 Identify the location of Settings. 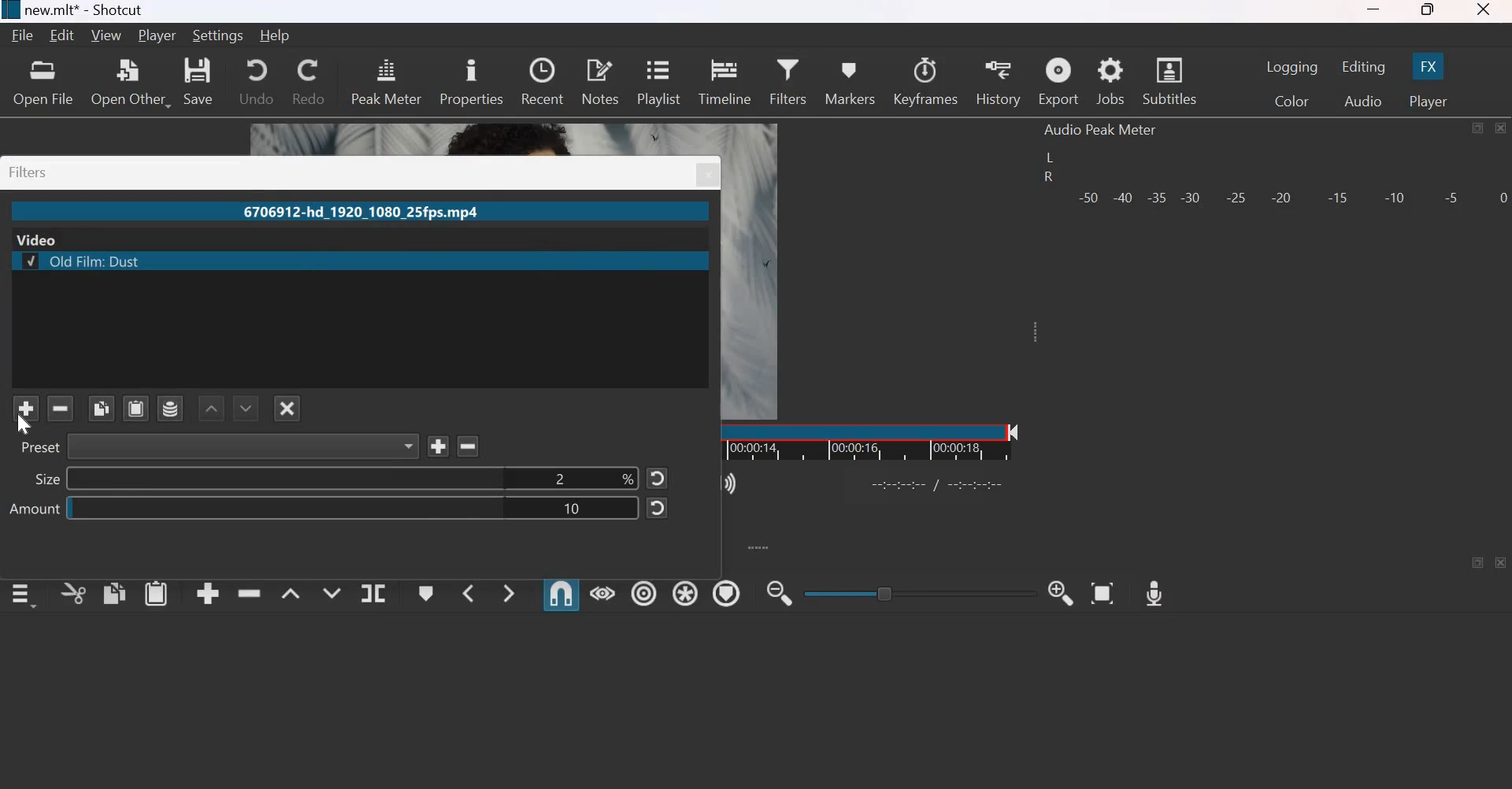
(220, 35).